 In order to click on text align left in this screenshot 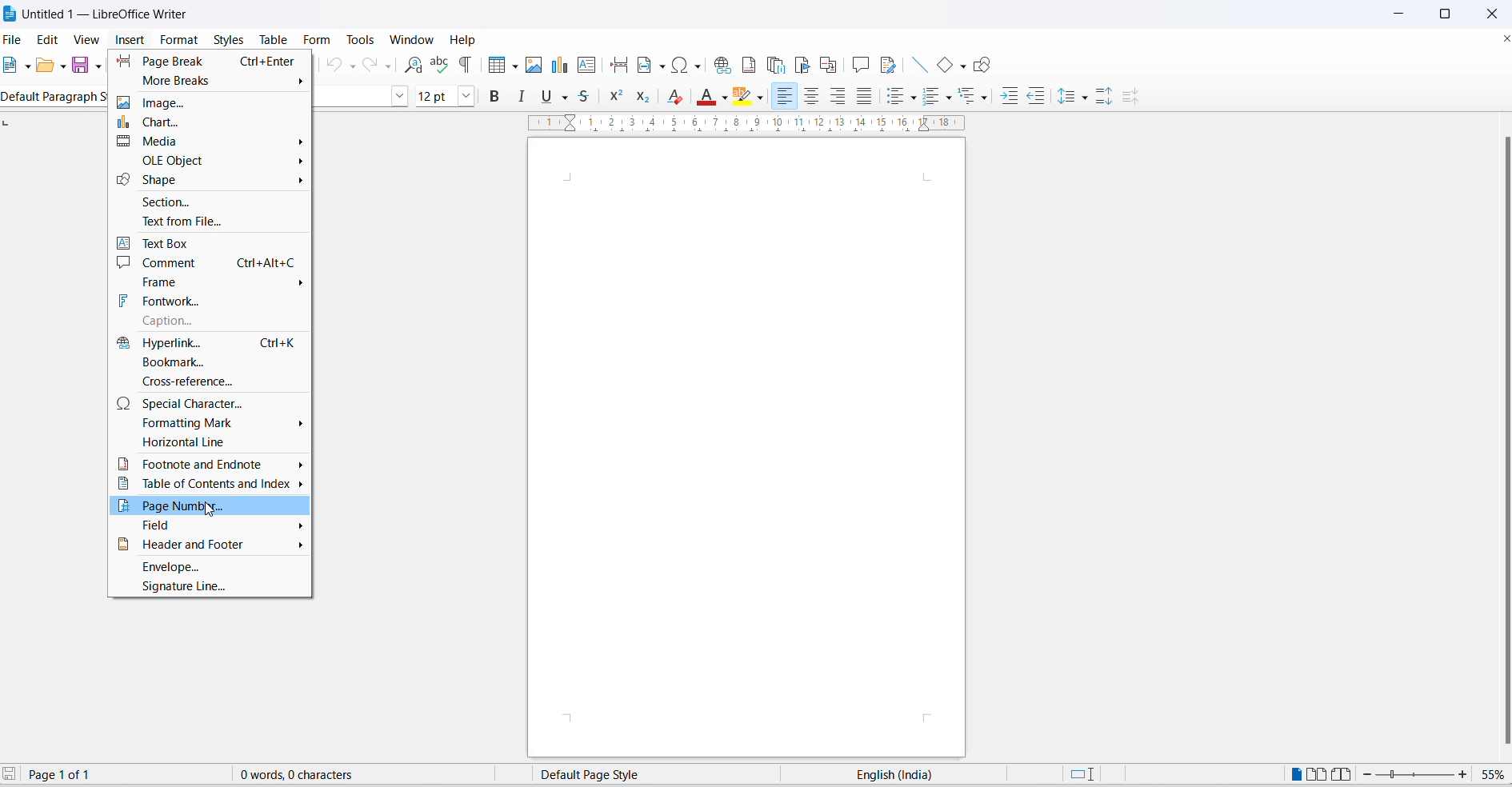, I will do `click(785, 98)`.